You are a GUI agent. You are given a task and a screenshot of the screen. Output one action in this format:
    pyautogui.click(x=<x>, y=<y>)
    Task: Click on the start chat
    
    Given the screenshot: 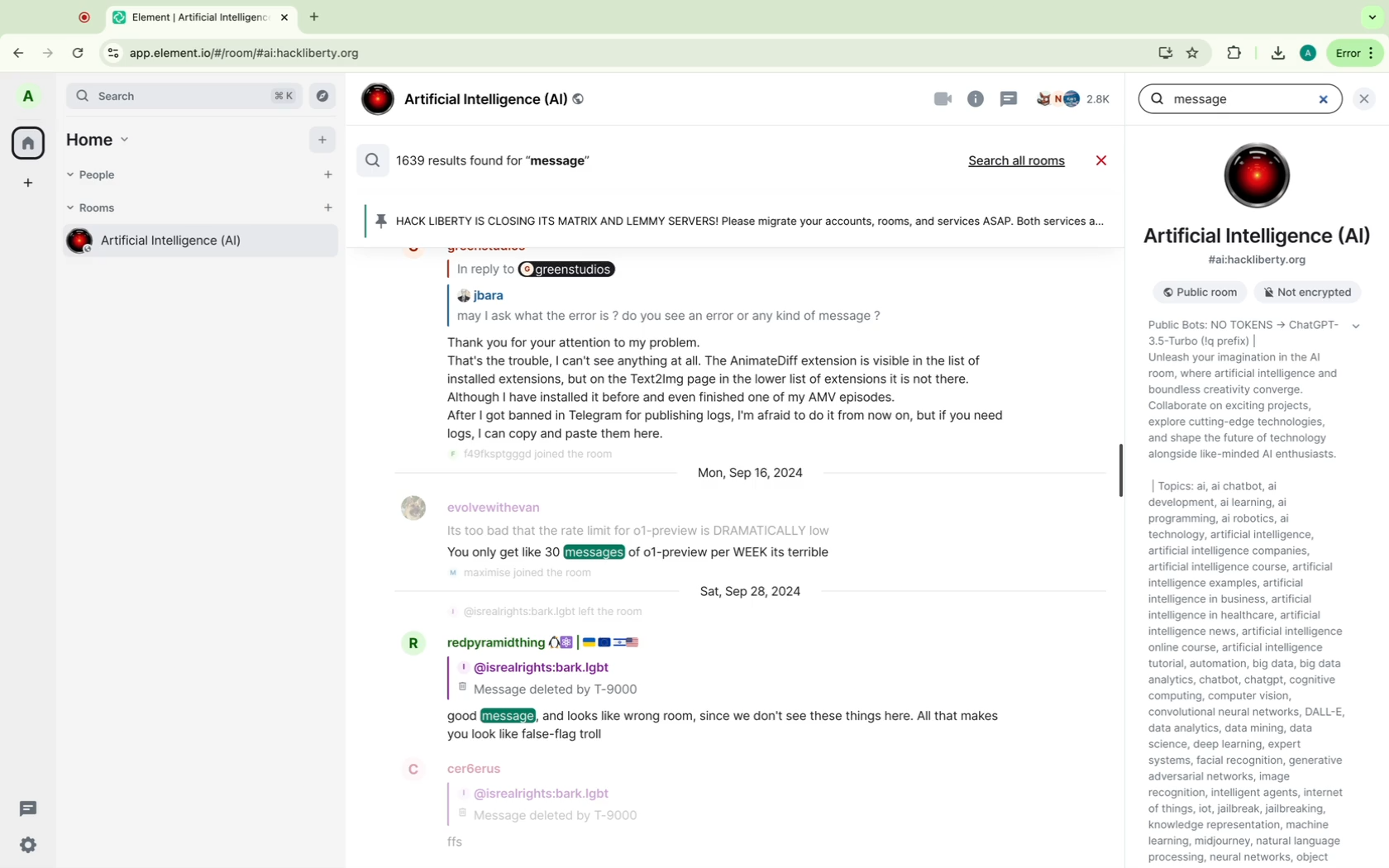 What is the action you would take?
    pyautogui.click(x=328, y=181)
    